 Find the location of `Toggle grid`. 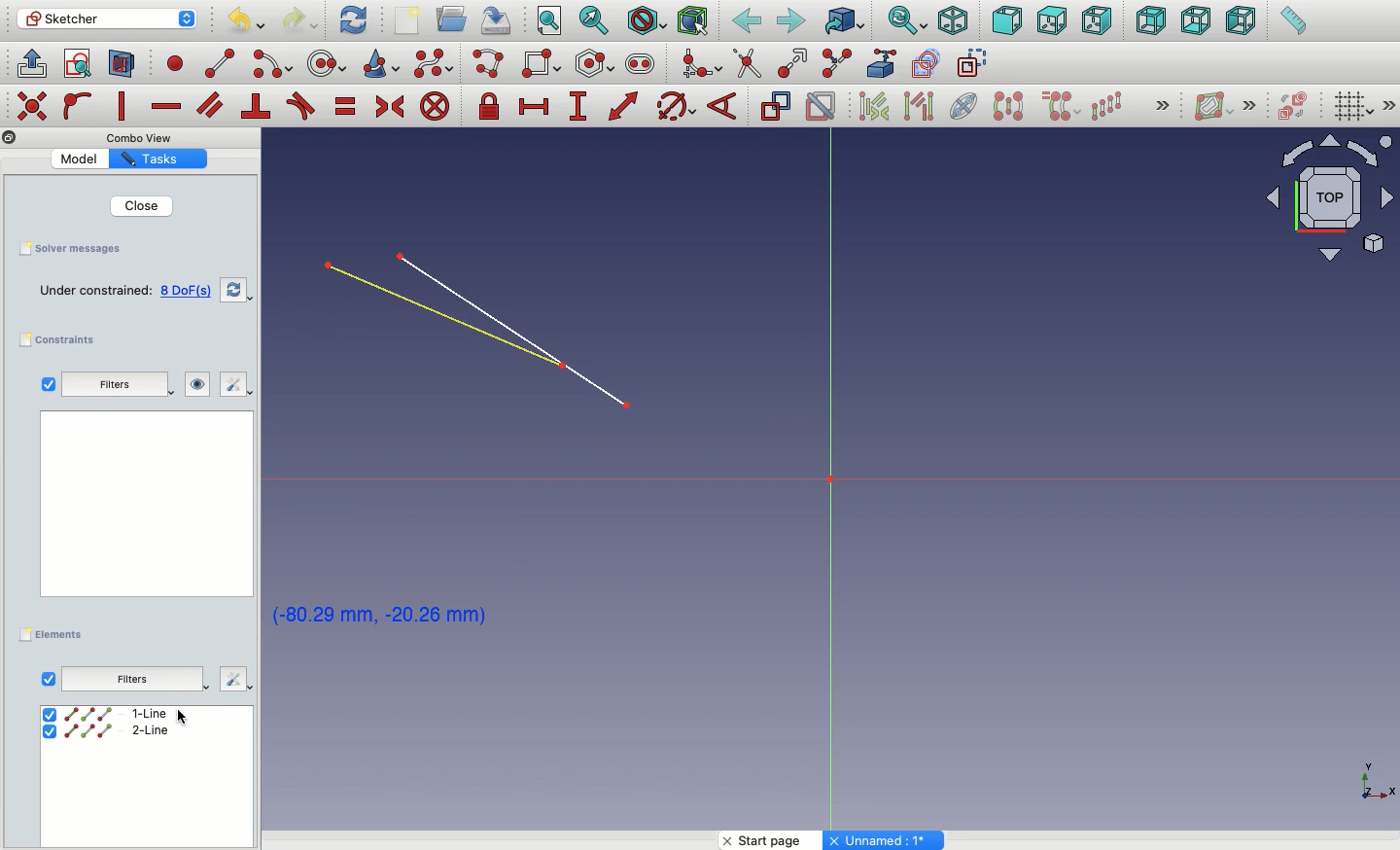

Toggle grid is located at coordinates (1354, 108).